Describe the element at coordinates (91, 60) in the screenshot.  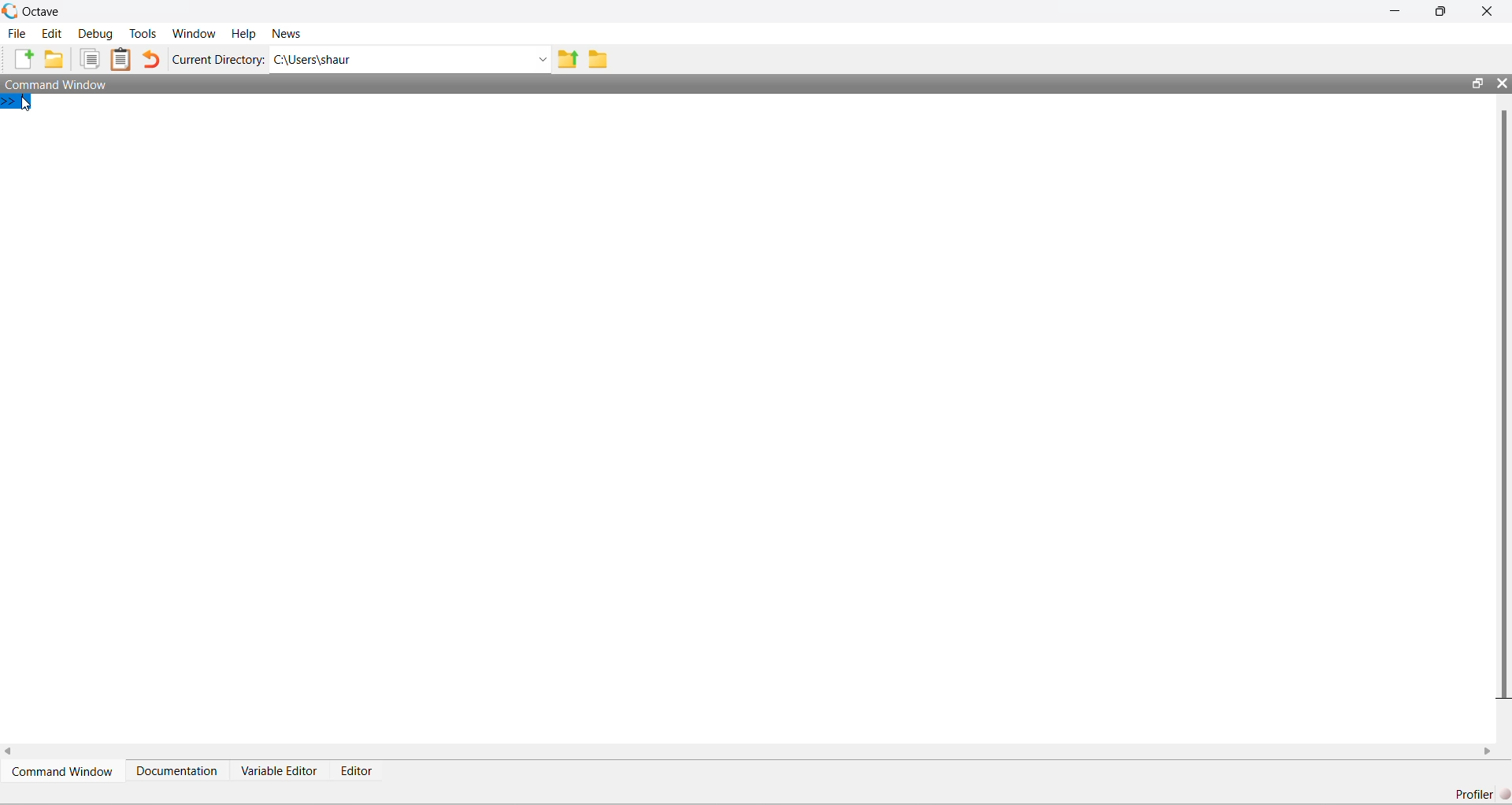
I see `Duplicate` at that location.